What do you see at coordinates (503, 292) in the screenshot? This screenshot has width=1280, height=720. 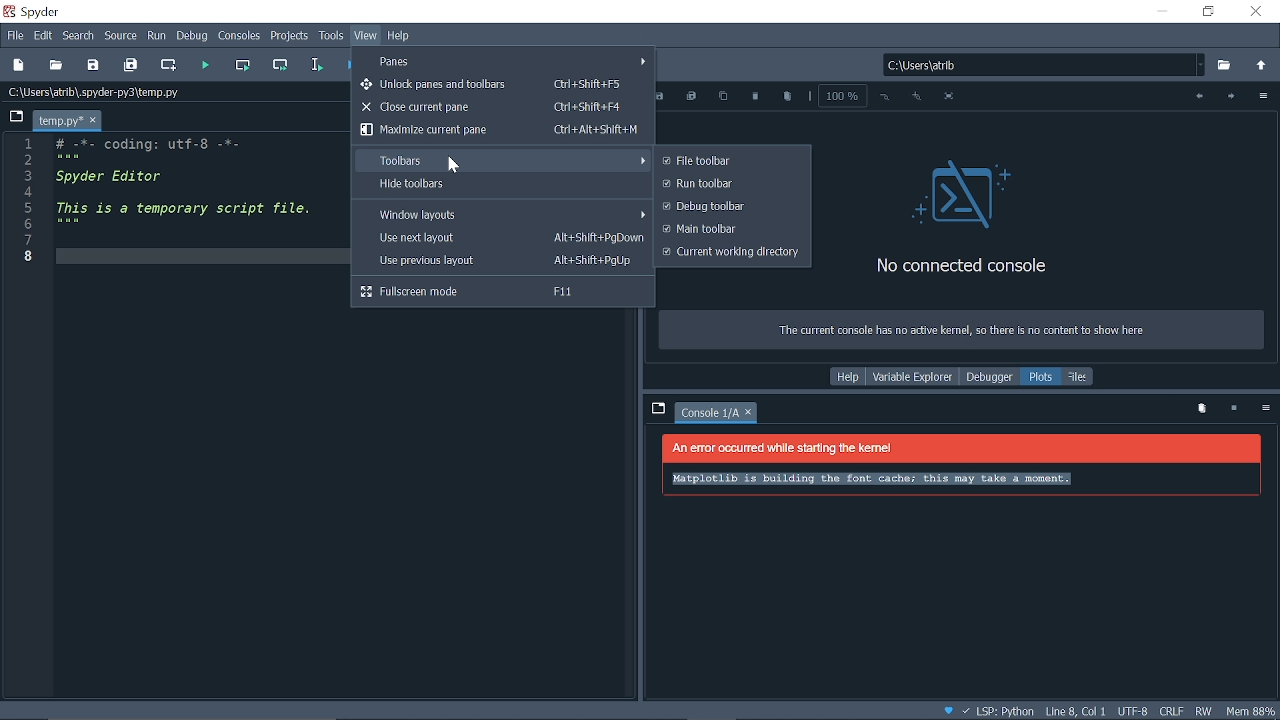 I see `Fullscreen mode` at bounding box center [503, 292].